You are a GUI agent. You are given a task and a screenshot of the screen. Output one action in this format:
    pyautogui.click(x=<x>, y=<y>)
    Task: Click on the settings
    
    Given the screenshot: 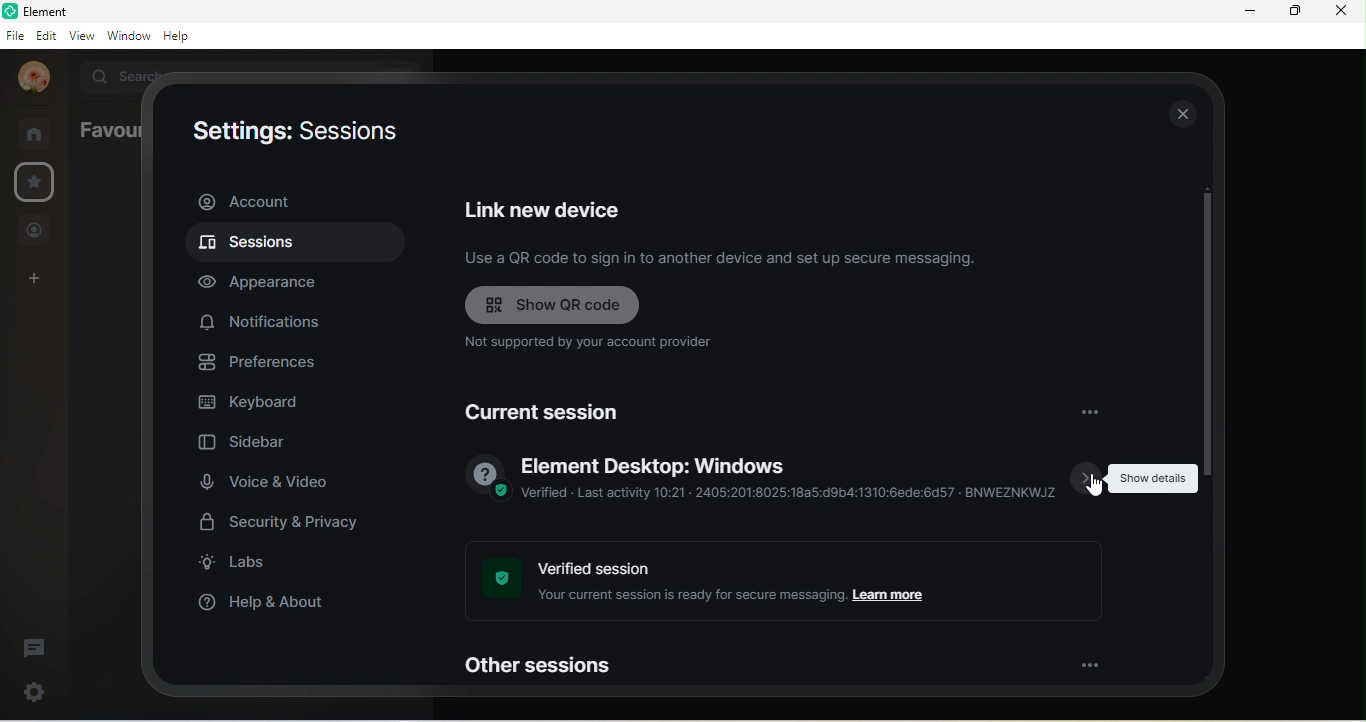 What is the action you would take?
    pyautogui.click(x=37, y=181)
    